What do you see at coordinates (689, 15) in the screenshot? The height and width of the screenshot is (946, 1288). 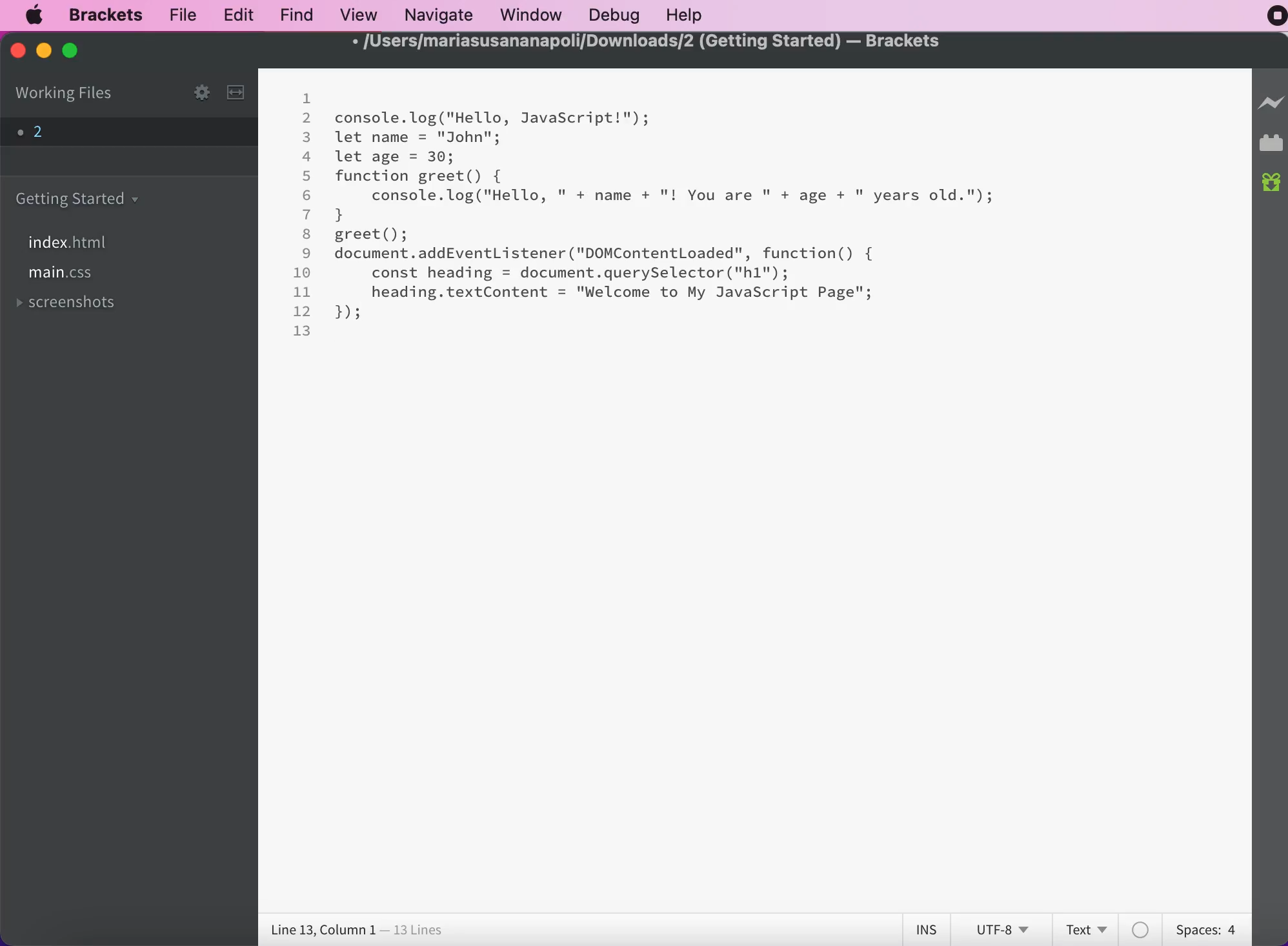 I see `help` at bounding box center [689, 15].